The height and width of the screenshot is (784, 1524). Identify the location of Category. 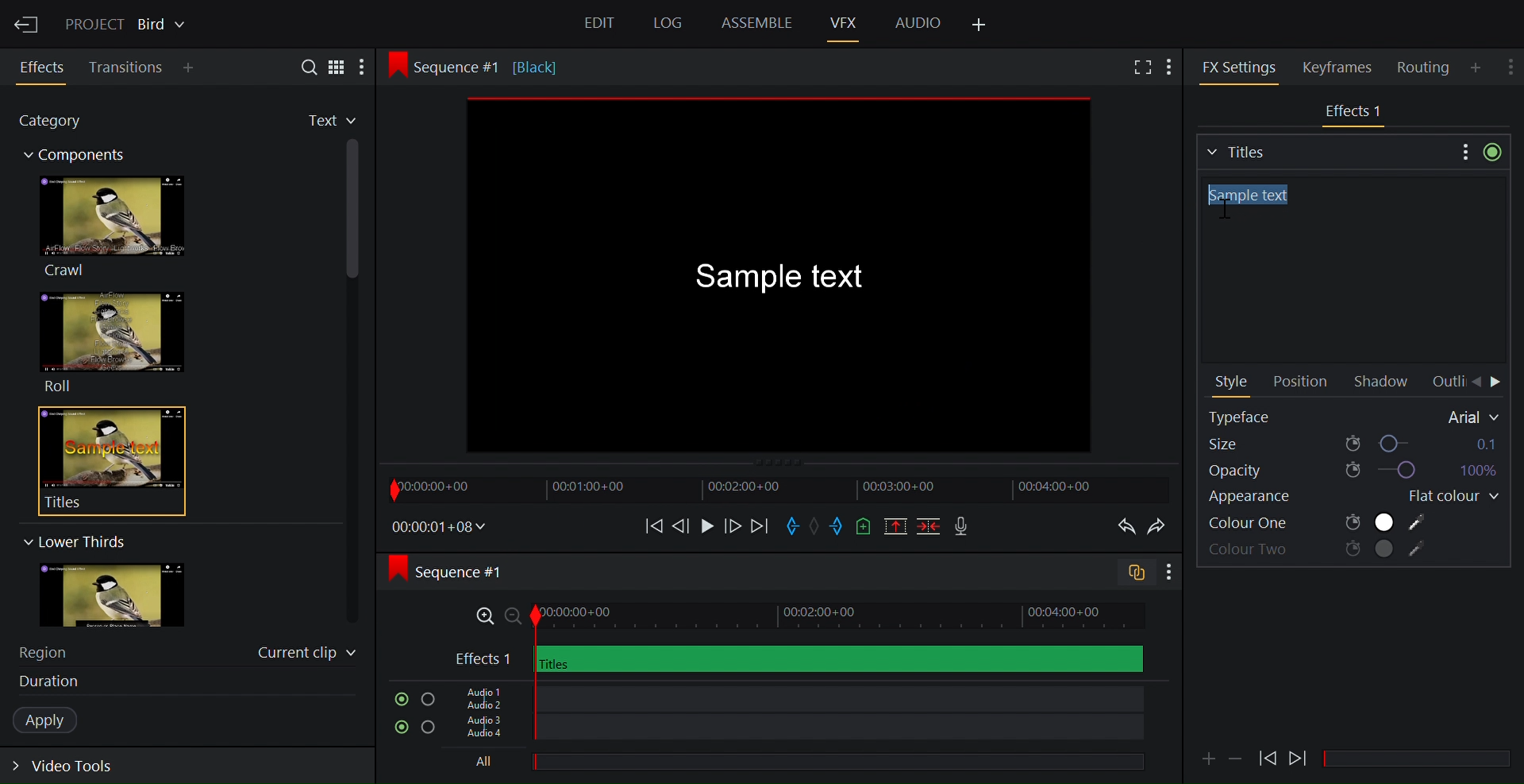
(59, 123).